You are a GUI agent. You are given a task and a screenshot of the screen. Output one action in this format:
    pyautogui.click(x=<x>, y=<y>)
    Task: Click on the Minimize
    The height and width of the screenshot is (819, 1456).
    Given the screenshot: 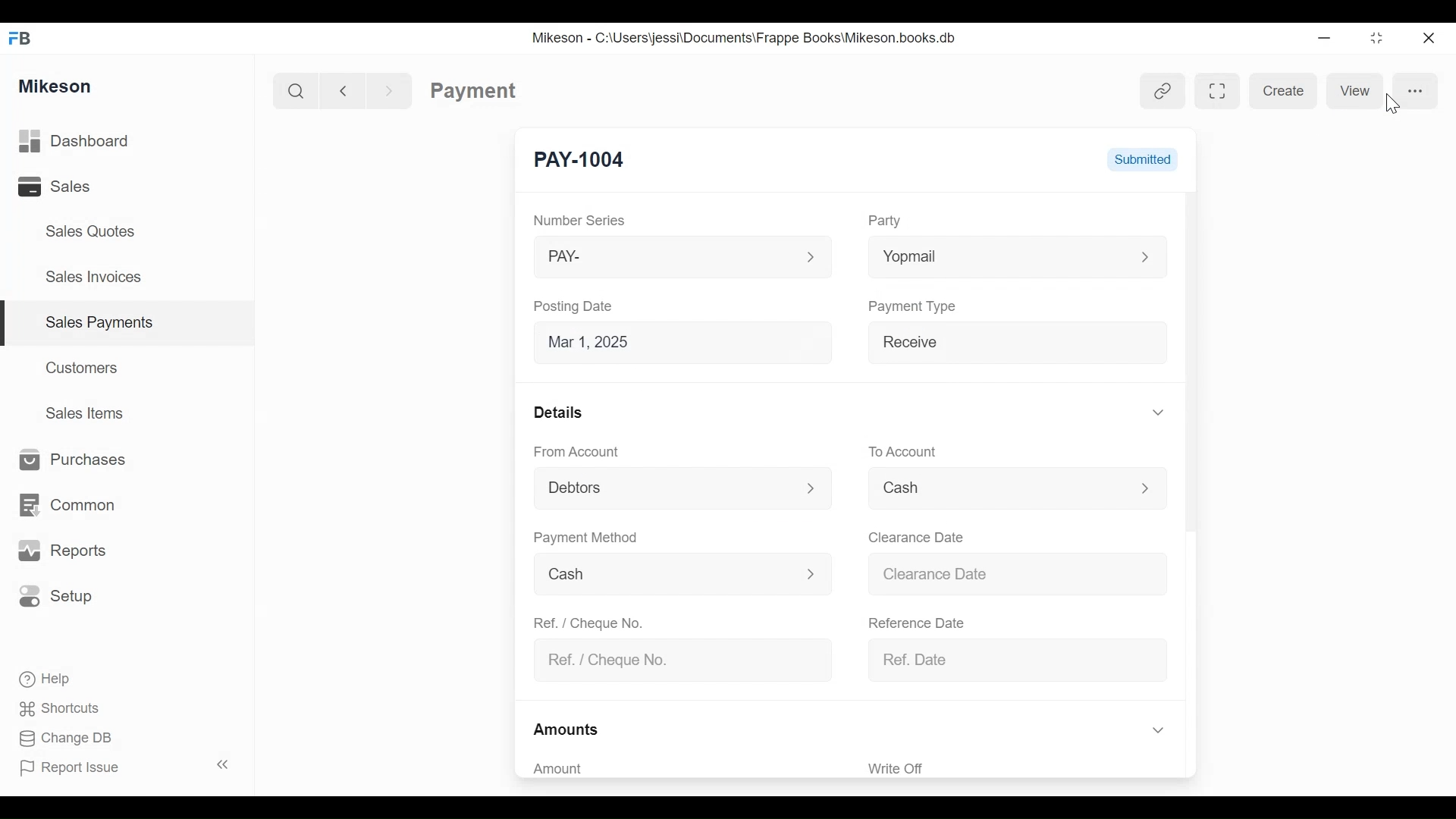 What is the action you would take?
    pyautogui.click(x=1324, y=40)
    